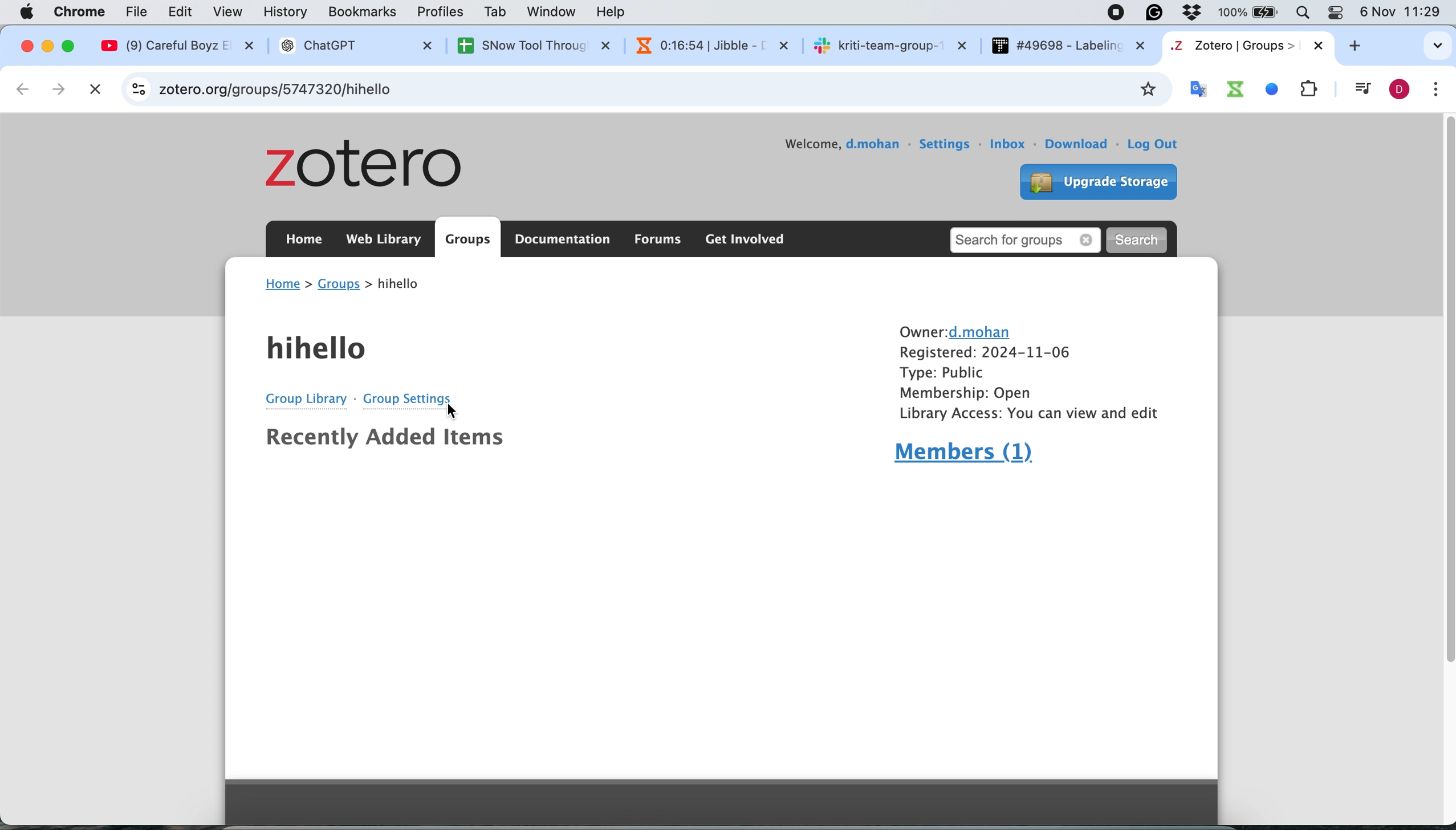 The height and width of the screenshot is (830, 1456). I want to click on go back, so click(21, 88).